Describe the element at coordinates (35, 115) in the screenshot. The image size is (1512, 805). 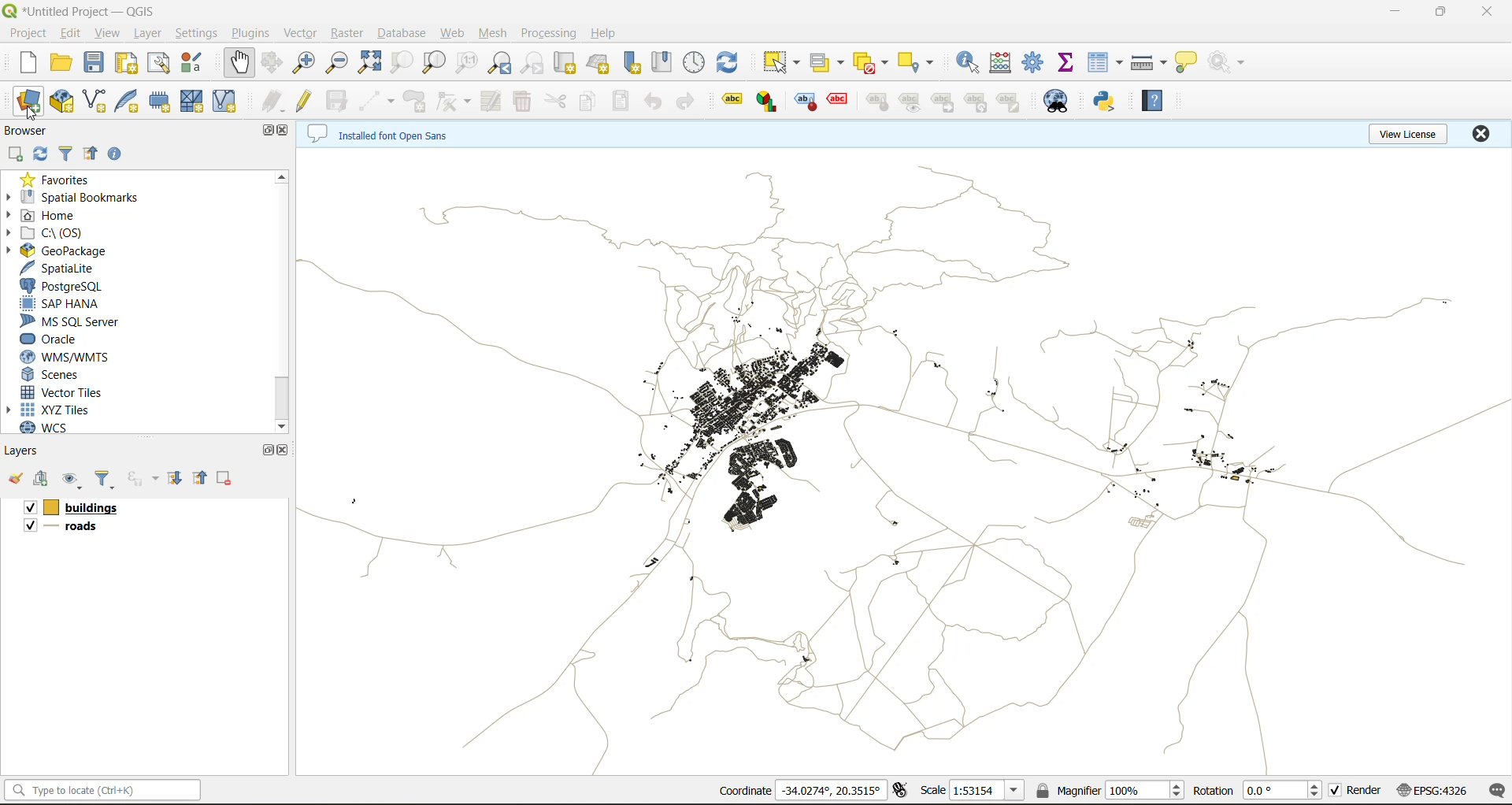
I see `cursor` at that location.